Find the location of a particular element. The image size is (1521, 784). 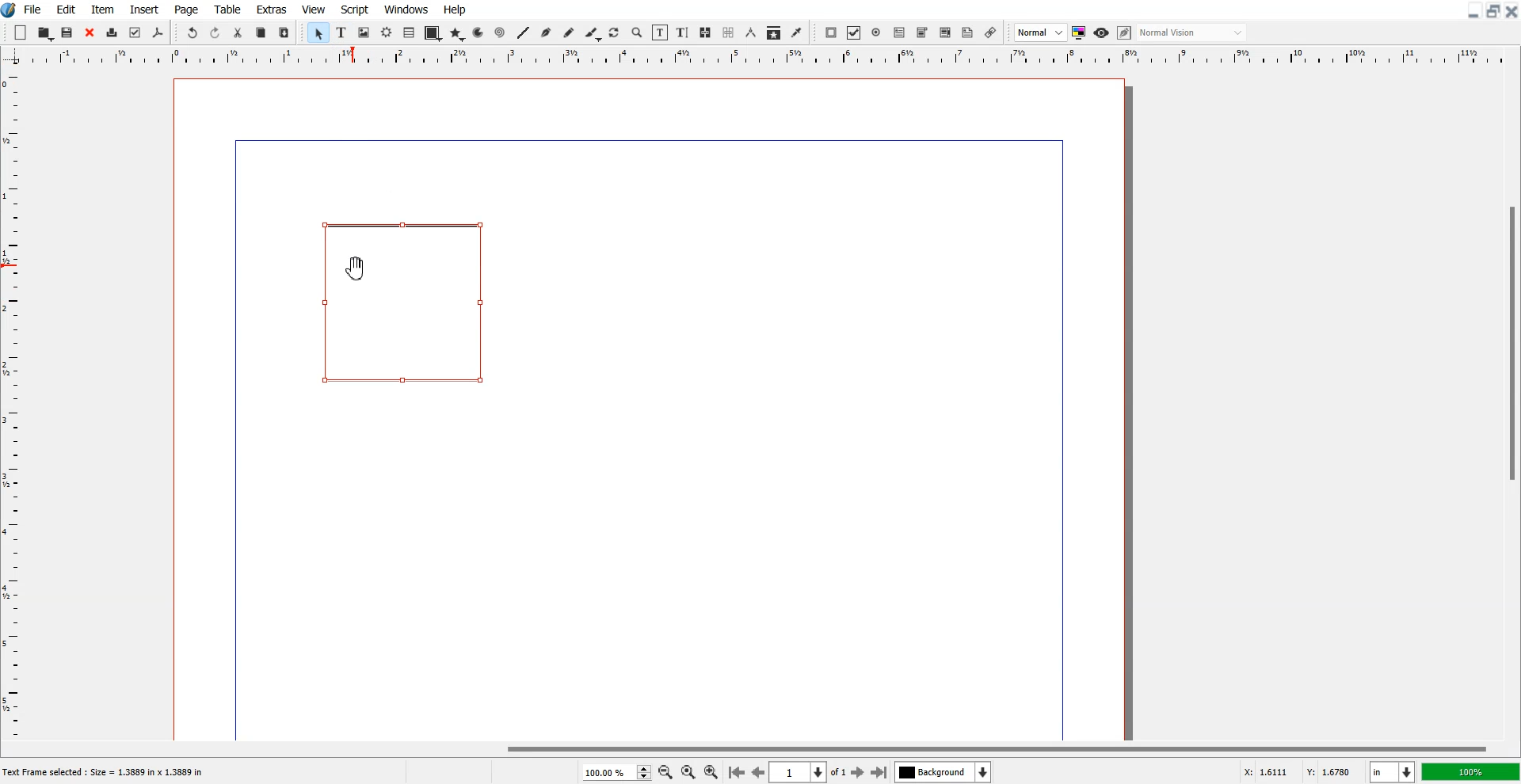

Redo is located at coordinates (215, 33).